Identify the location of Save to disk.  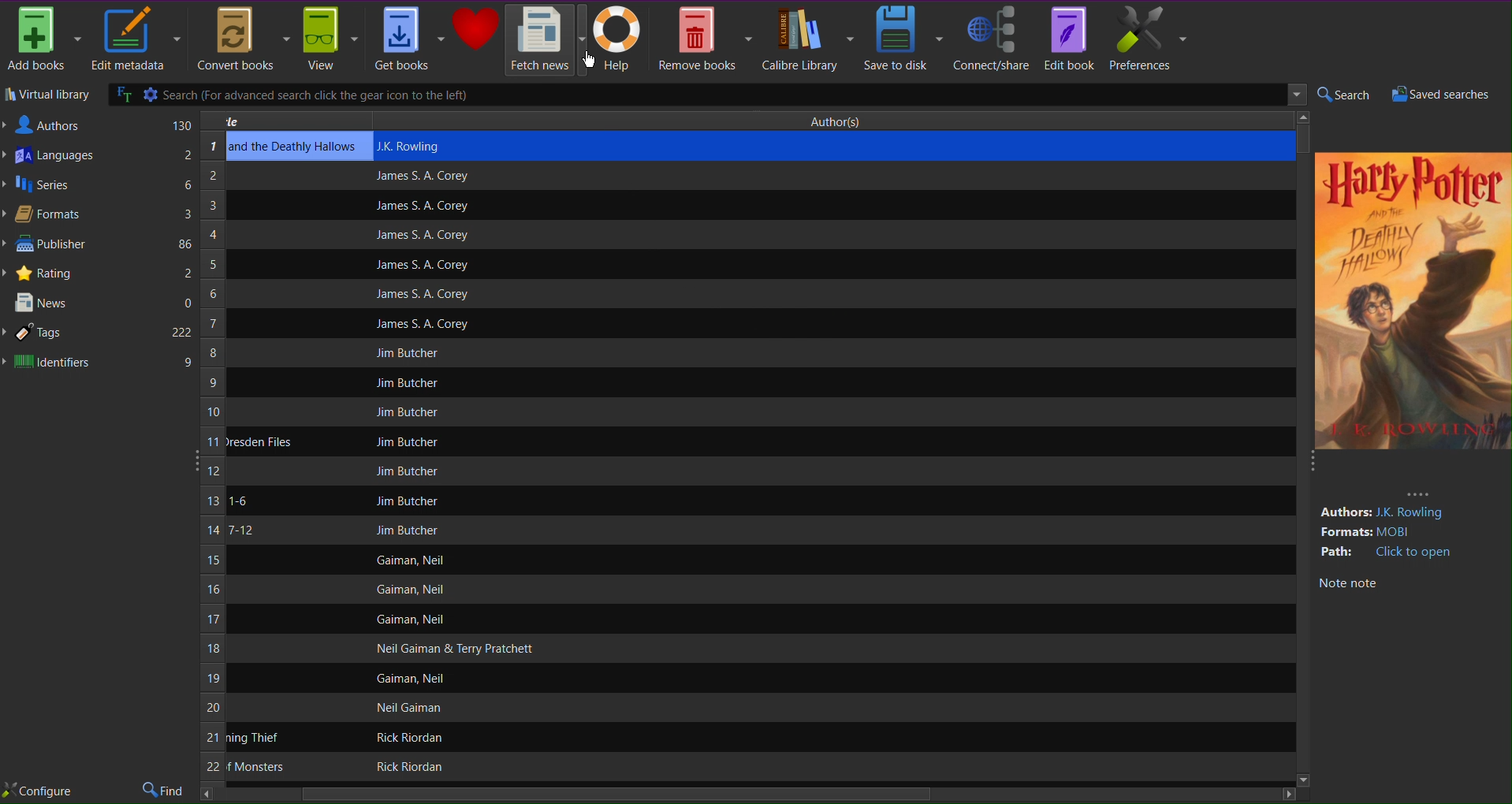
(904, 37).